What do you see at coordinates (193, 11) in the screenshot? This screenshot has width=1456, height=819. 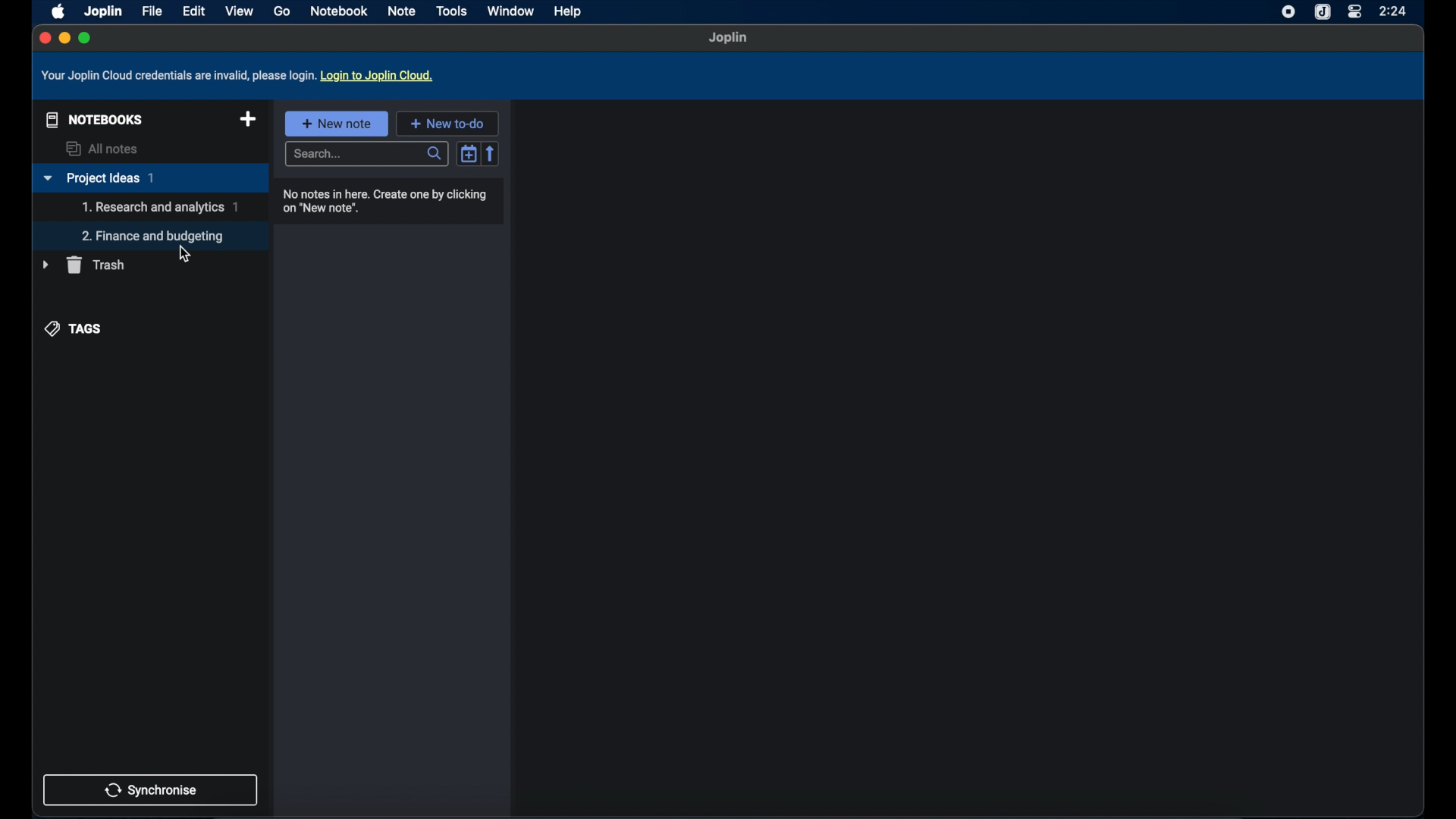 I see `edit` at bounding box center [193, 11].